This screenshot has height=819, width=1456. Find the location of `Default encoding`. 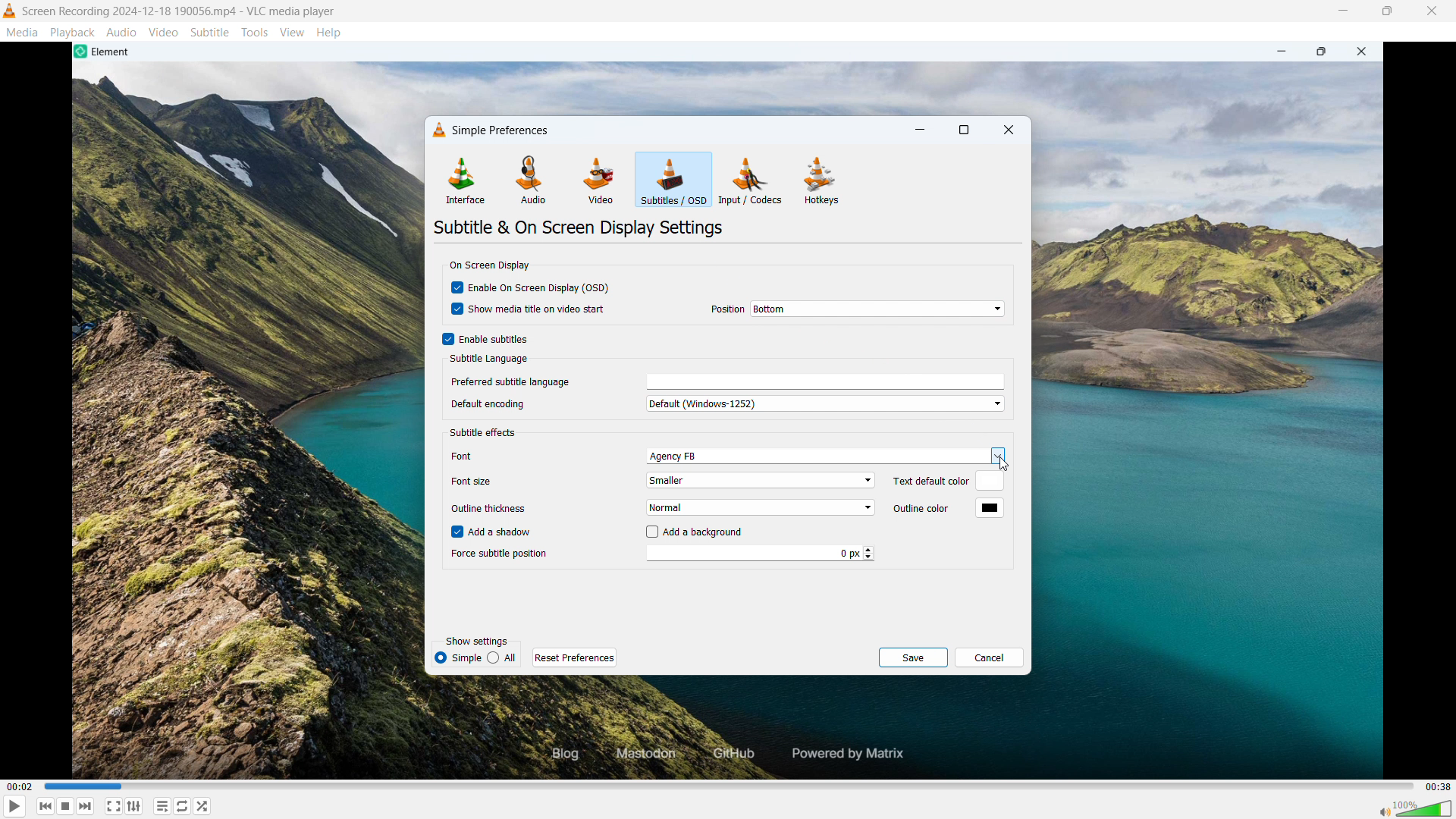

Default encoding is located at coordinates (502, 403).